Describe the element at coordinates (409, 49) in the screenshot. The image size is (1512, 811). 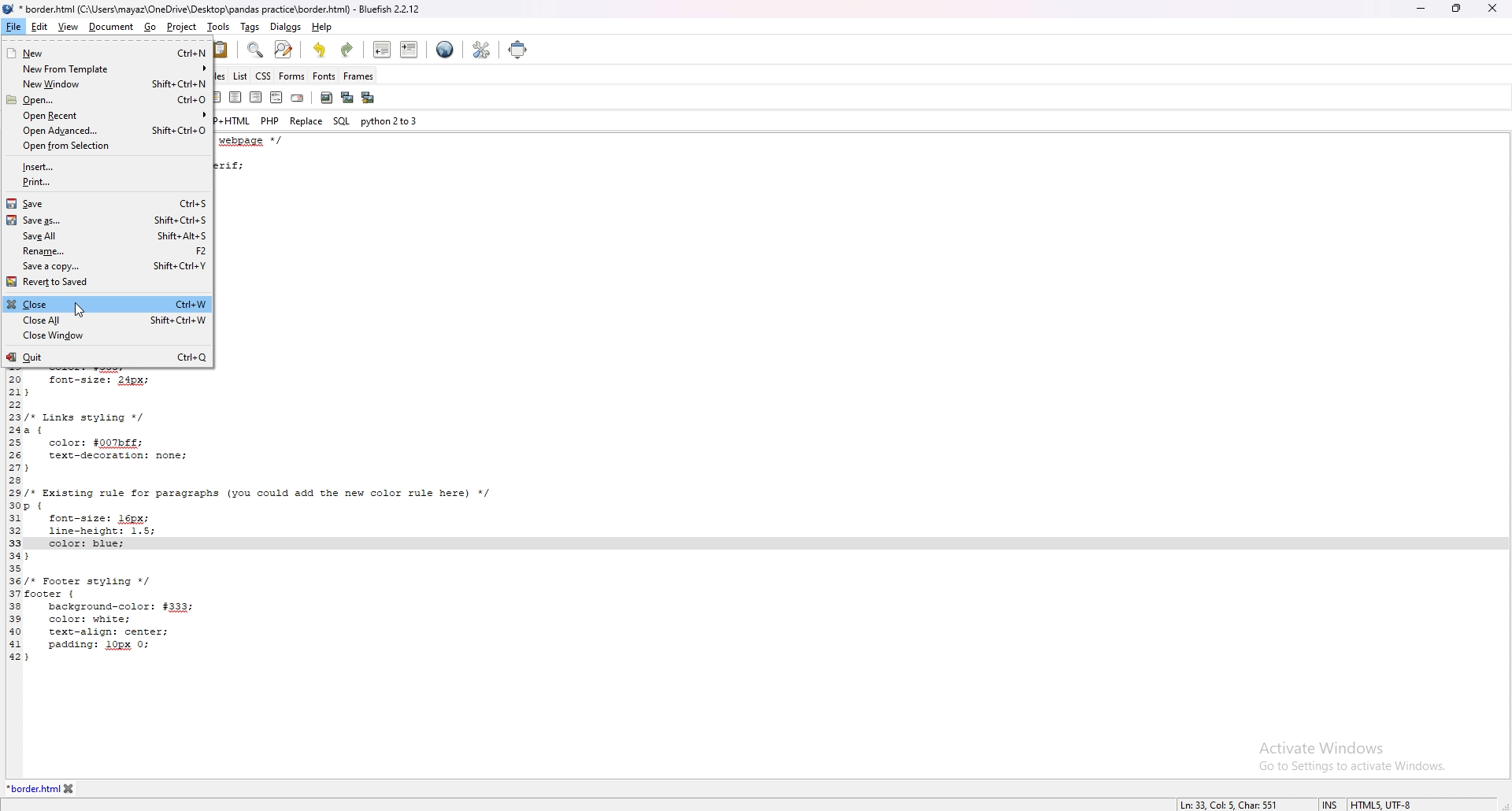
I see `indent` at that location.